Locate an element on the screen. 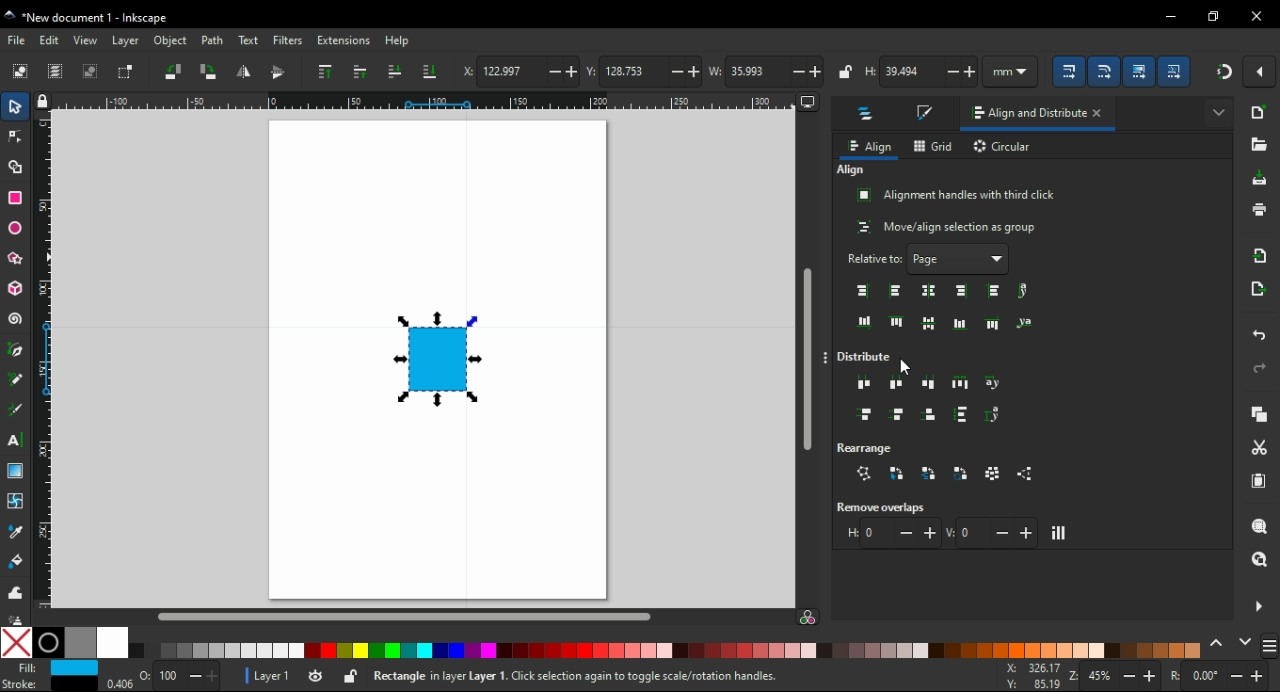 This screenshot has width=1280, height=692. color options is located at coordinates (1270, 647).